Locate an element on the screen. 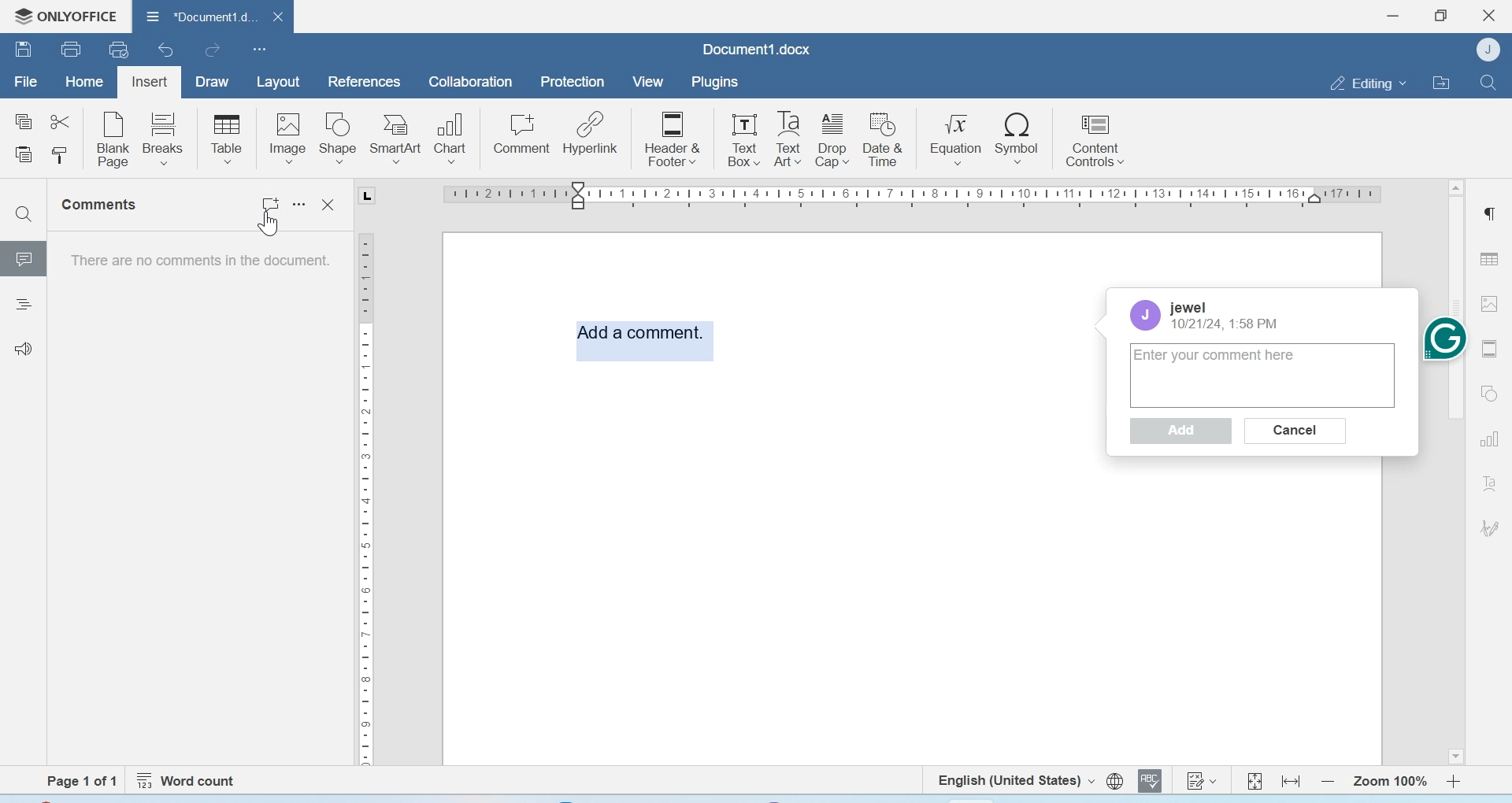 Image resolution: width=1512 pixels, height=803 pixels. Editing is located at coordinates (1367, 83).